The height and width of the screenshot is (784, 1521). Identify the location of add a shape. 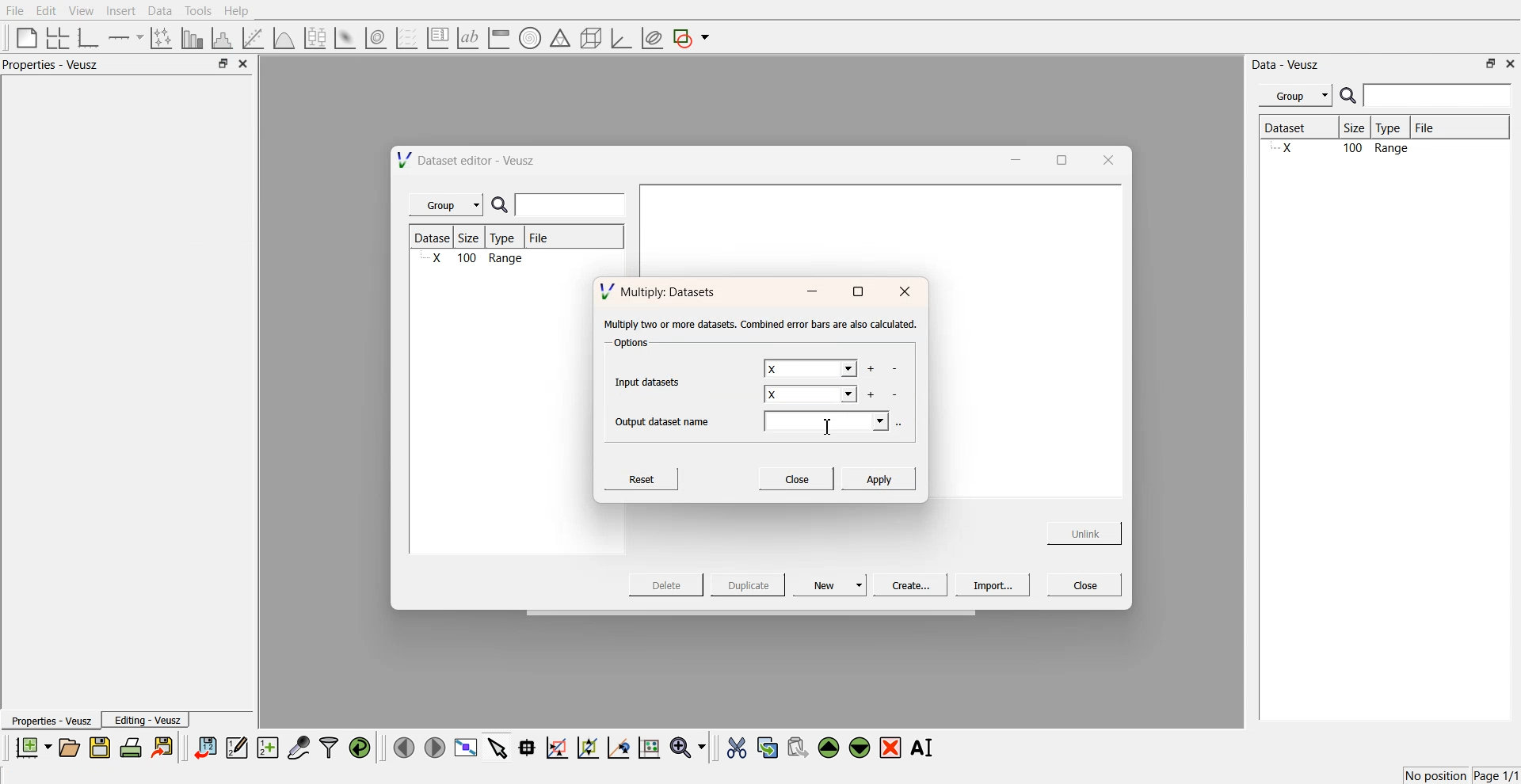
(692, 39).